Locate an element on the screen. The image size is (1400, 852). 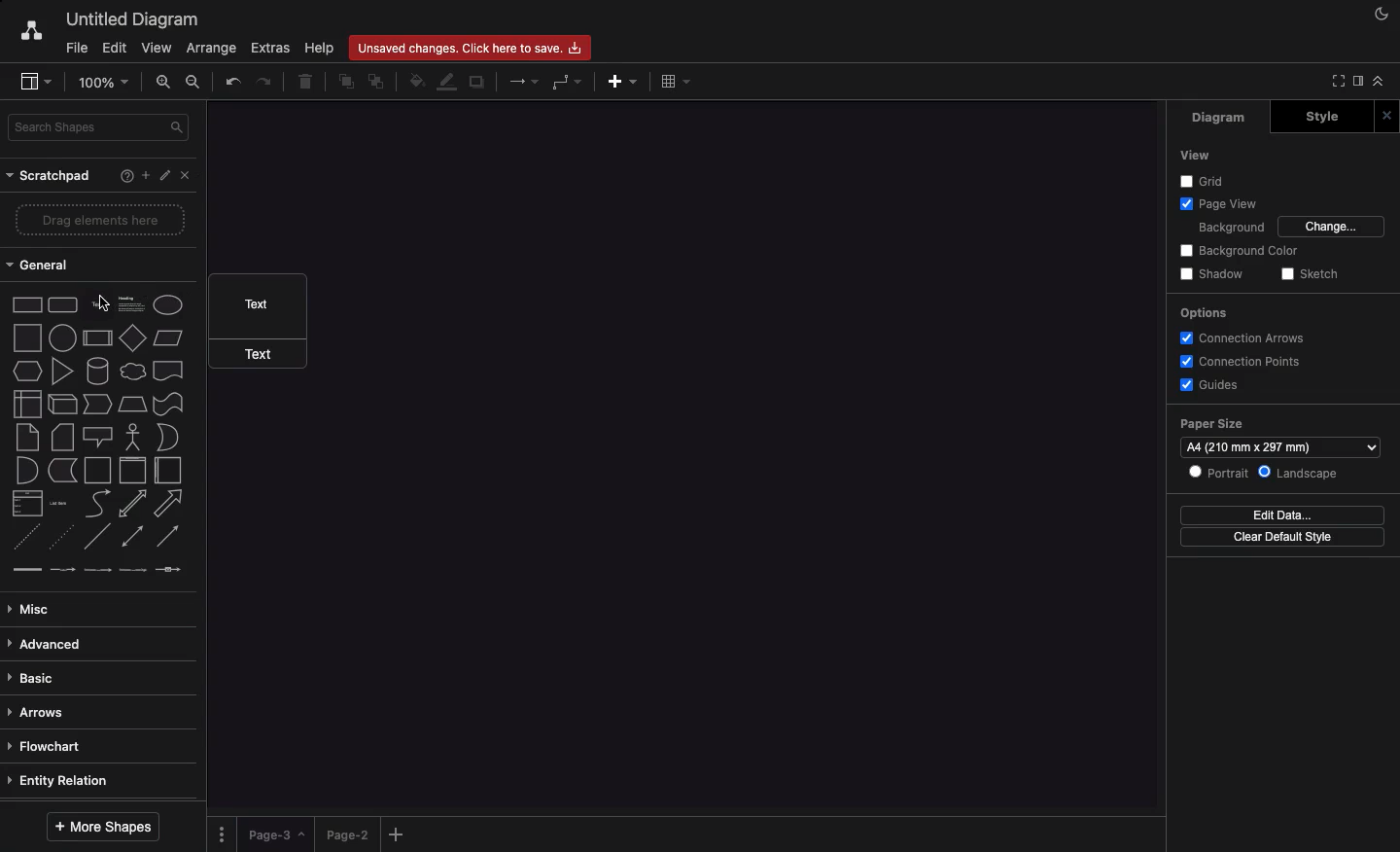
bidirectional arrow is located at coordinates (131, 504).